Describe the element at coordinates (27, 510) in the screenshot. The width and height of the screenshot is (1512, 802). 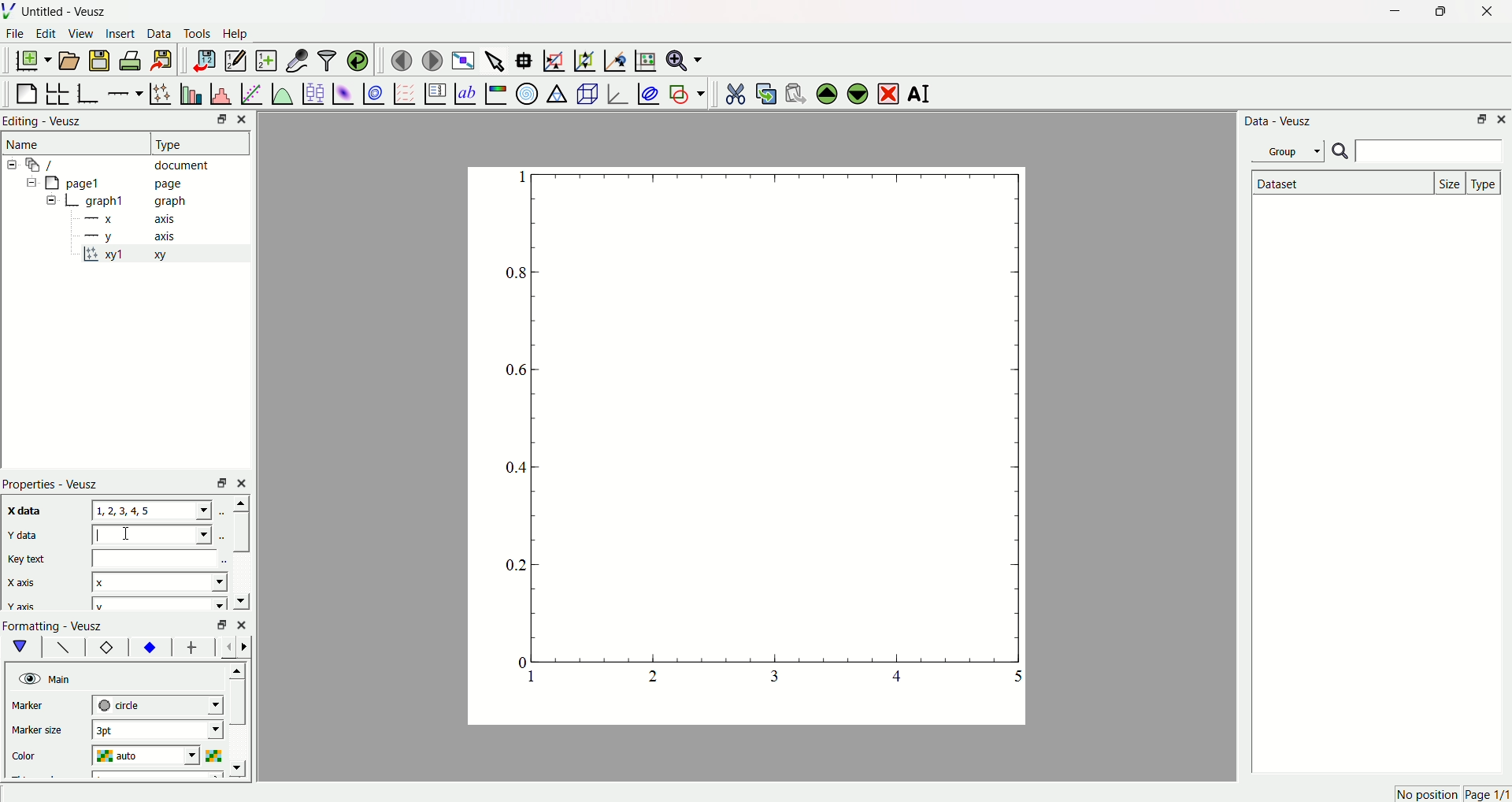
I see `x data` at that location.